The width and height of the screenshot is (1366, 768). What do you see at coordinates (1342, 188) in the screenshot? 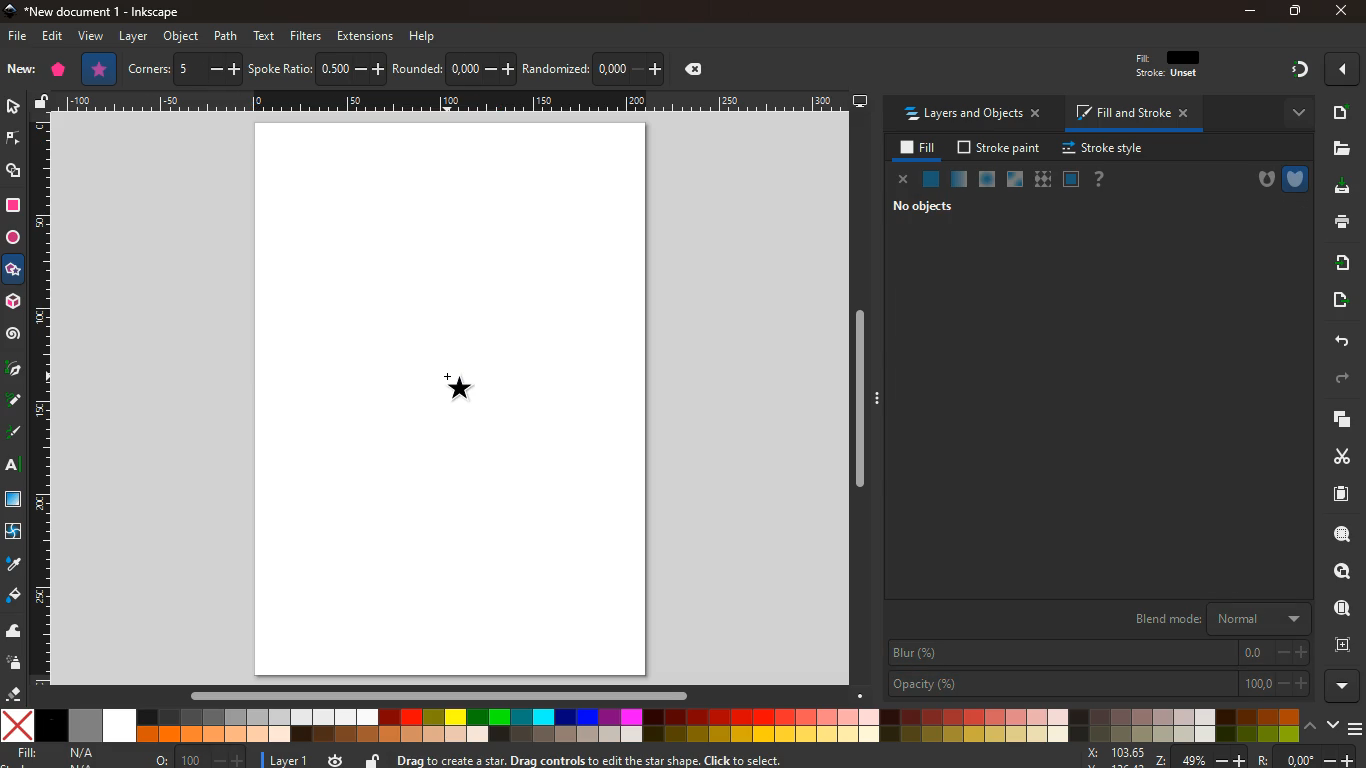
I see `download` at bounding box center [1342, 188].